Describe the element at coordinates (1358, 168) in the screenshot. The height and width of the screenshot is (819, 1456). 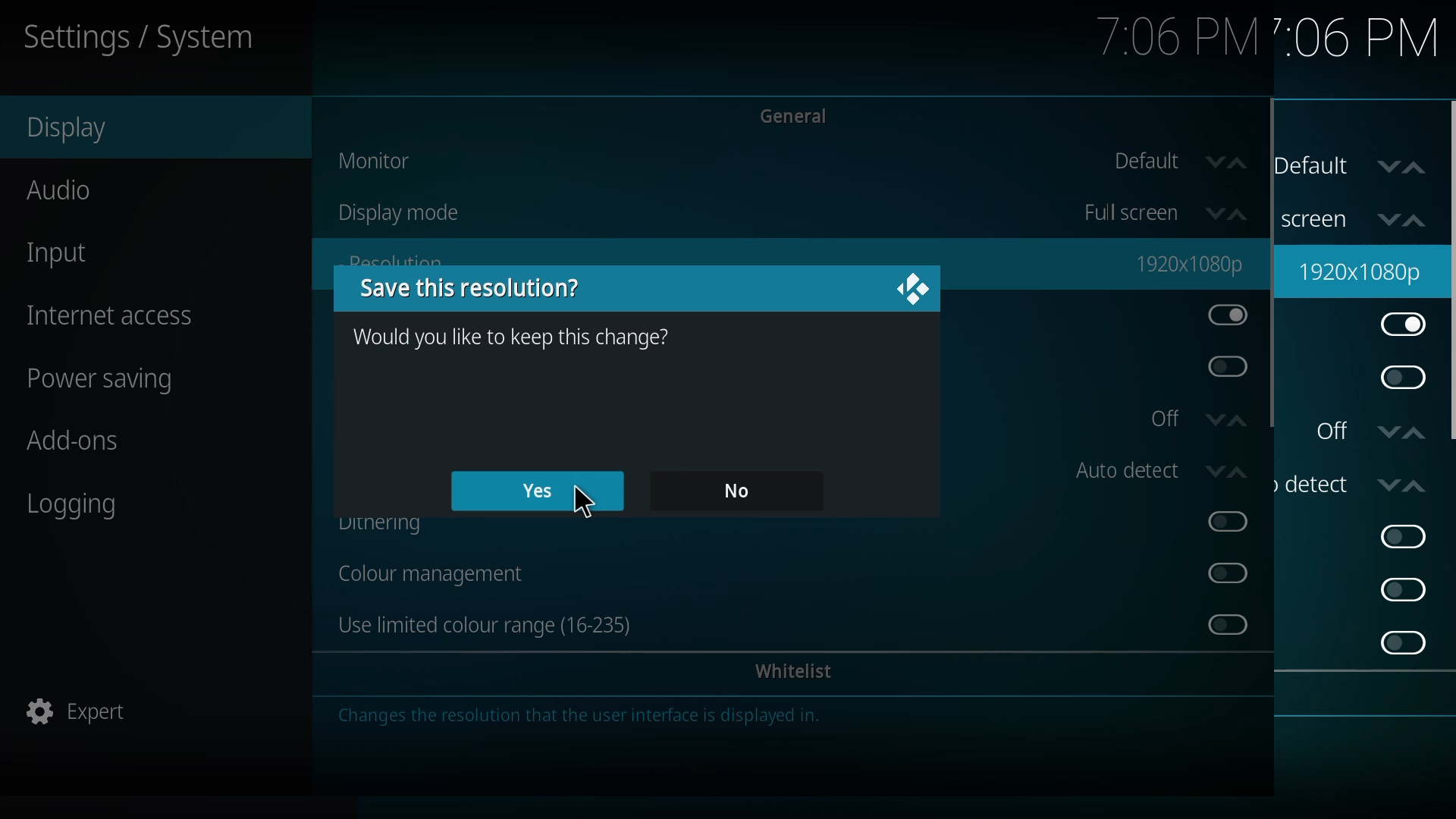
I see `default` at that location.